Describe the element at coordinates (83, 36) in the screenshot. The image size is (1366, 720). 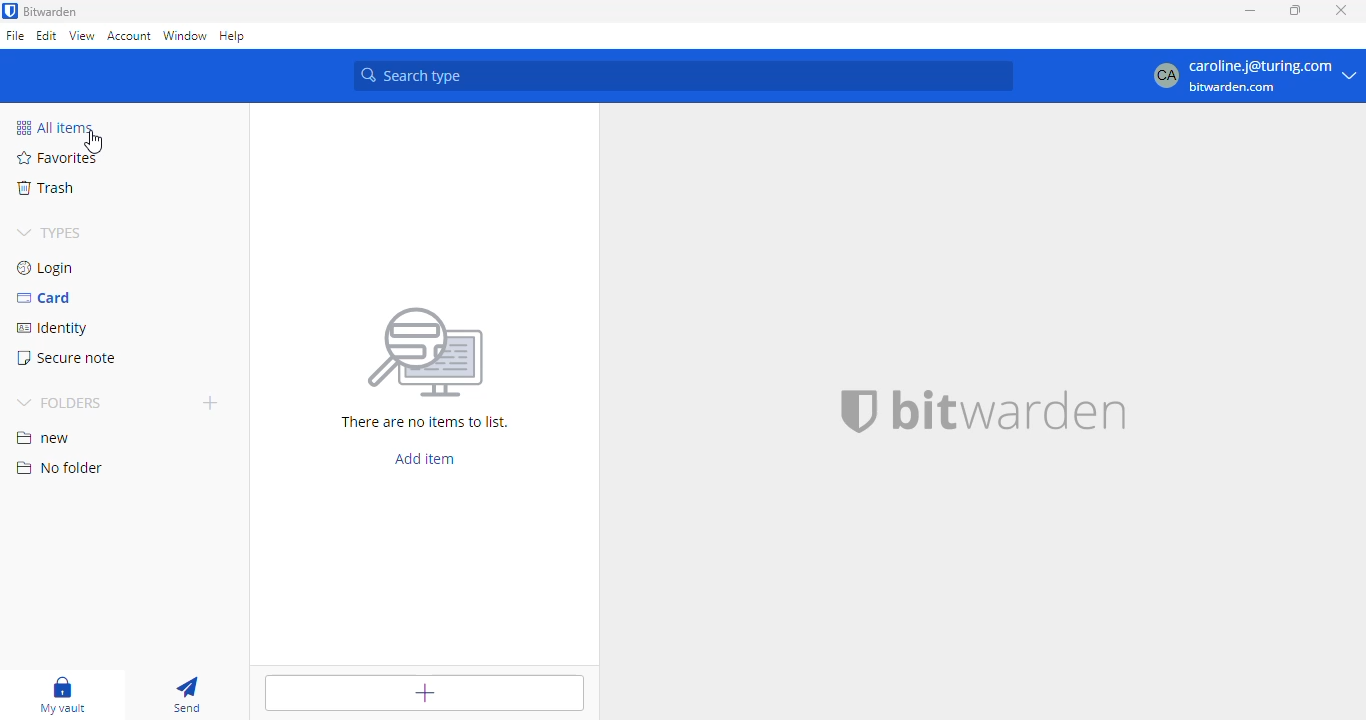
I see `view` at that location.